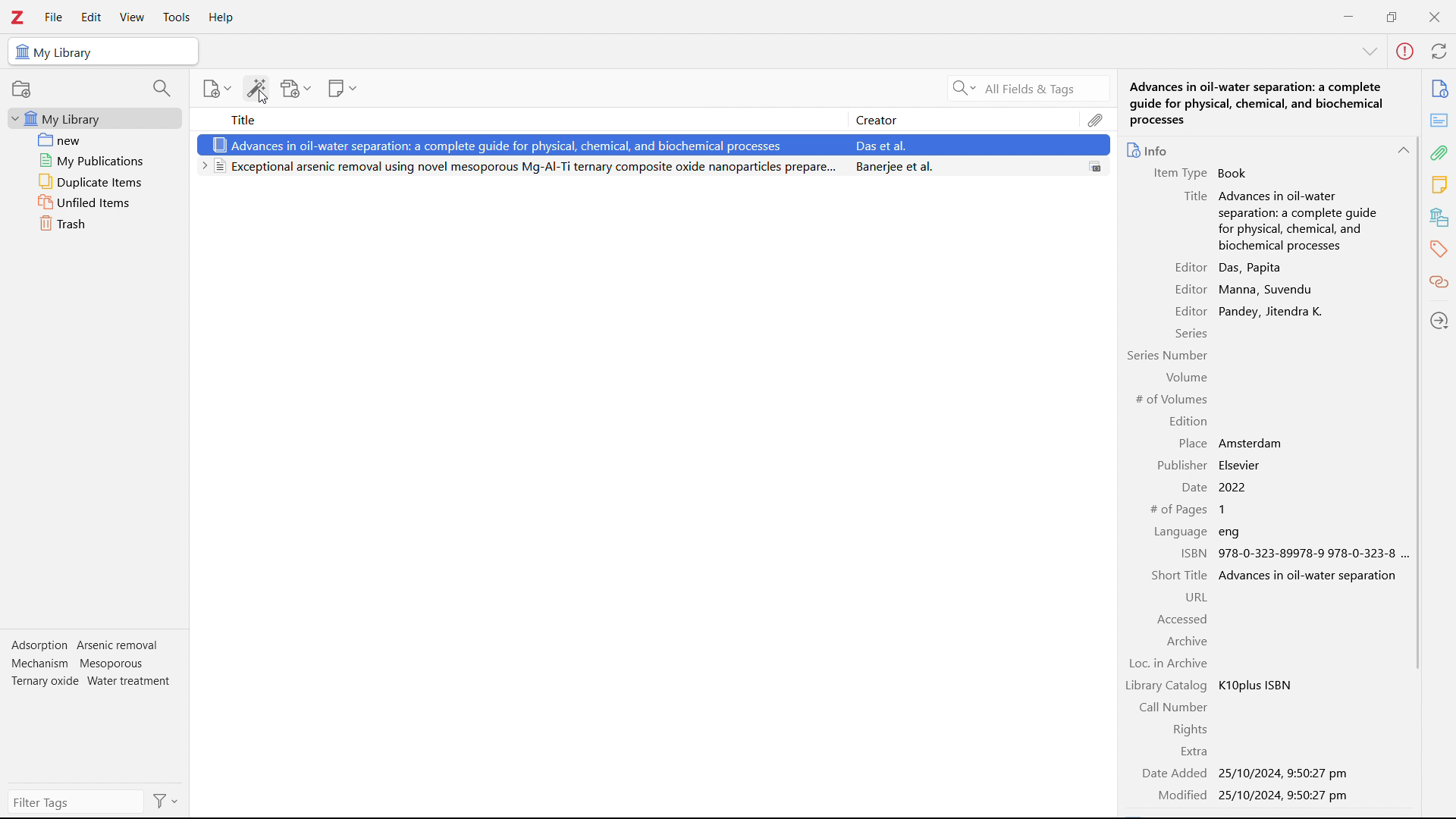 This screenshot has height=819, width=1456. Describe the element at coordinates (96, 223) in the screenshot. I see `trash` at that location.